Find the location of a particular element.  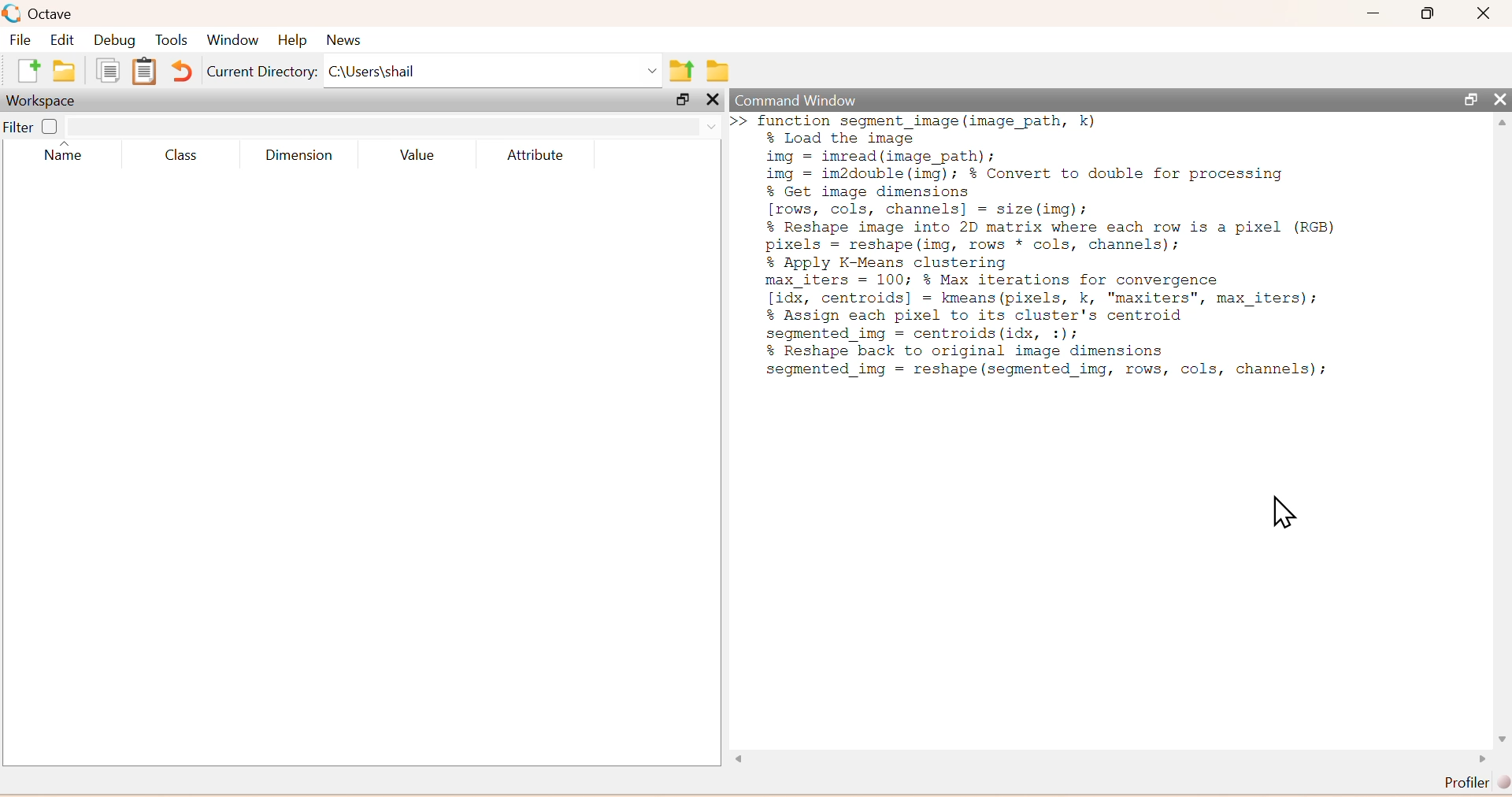

Undo is located at coordinates (183, 72).